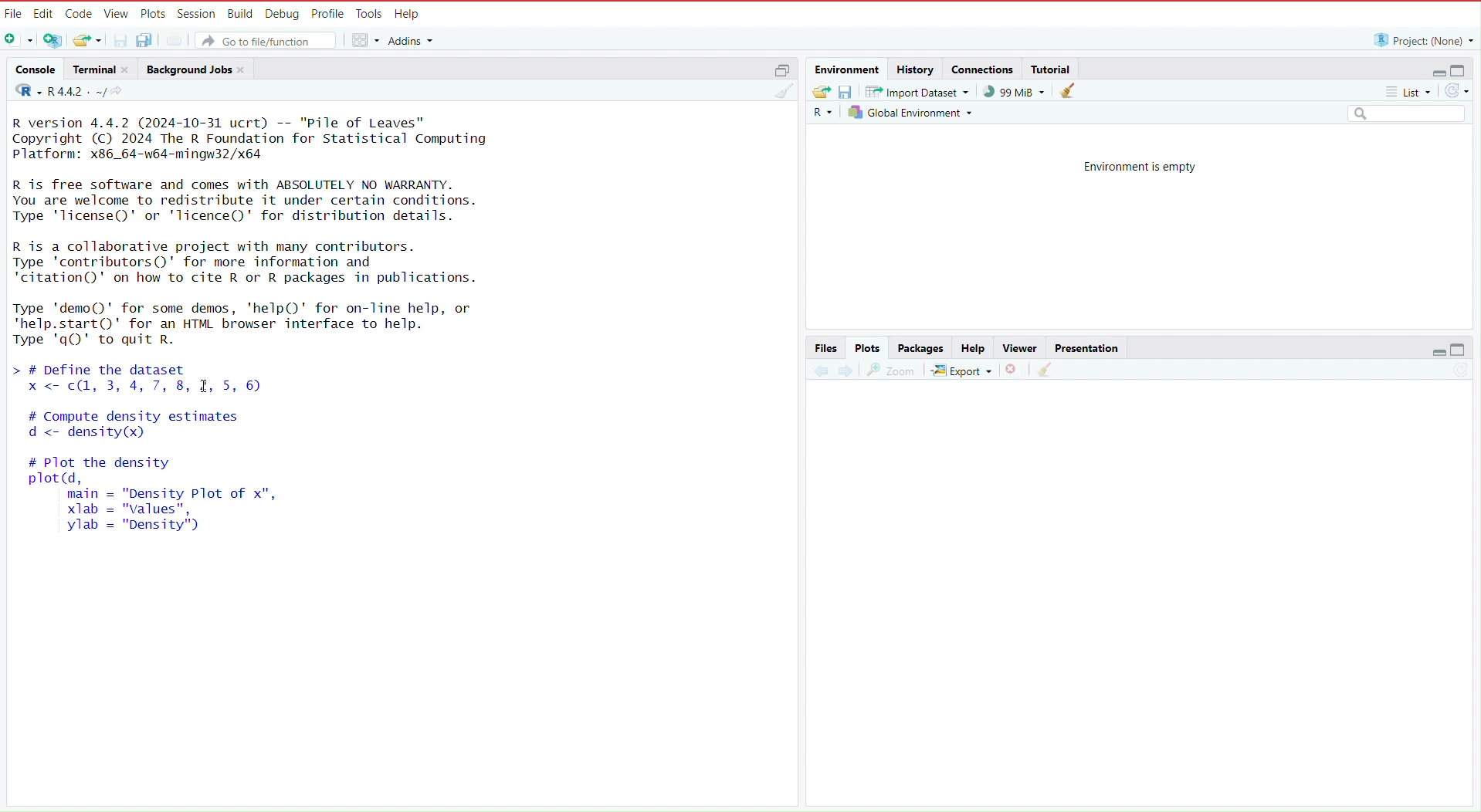  I want to click on clear objects from the workspace, so click(1068, 90).